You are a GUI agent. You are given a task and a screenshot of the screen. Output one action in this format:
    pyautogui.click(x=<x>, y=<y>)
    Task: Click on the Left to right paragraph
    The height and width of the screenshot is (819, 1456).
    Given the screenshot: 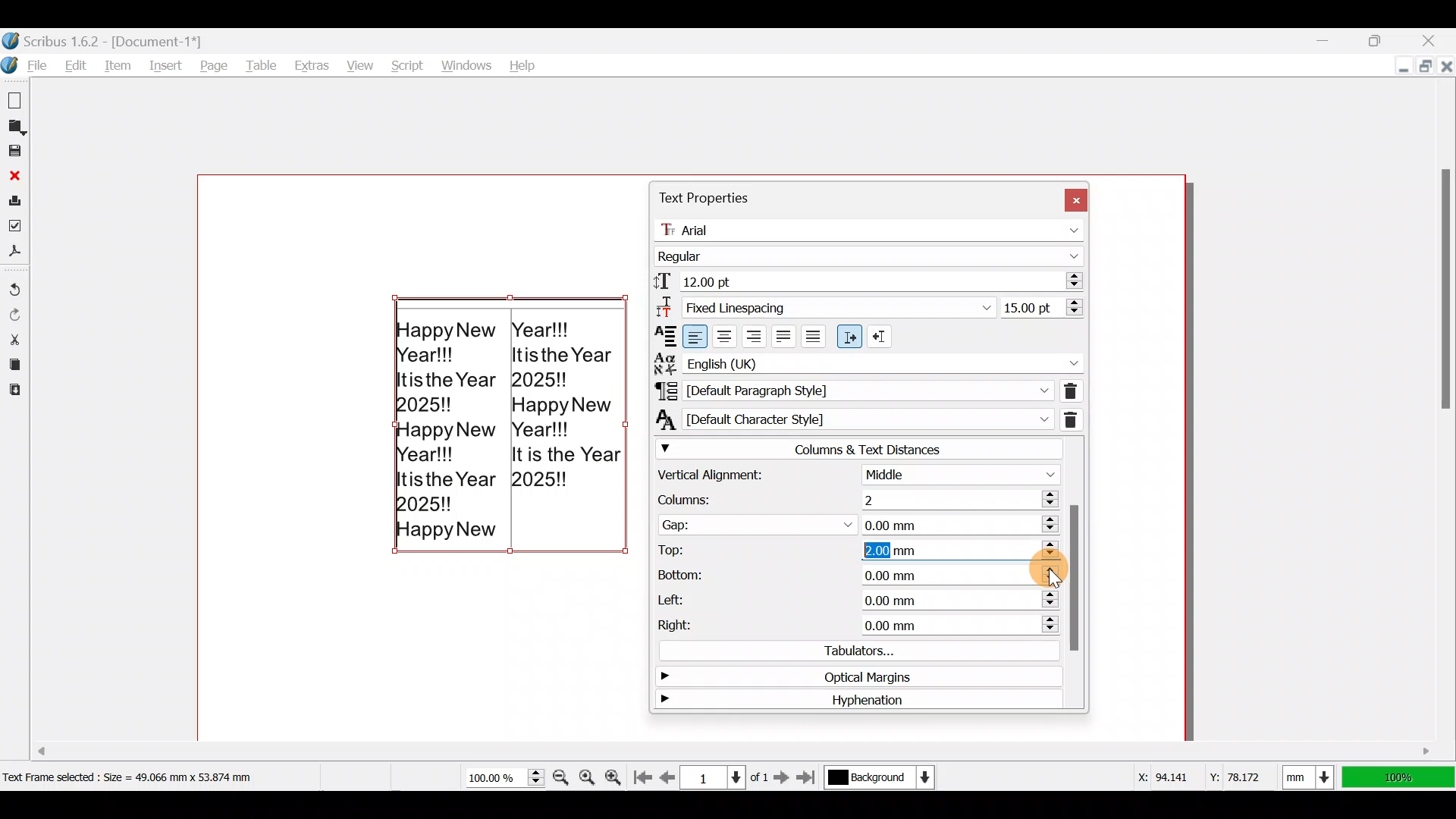 What is the action you would take?
    pyautogui.click(x=849, y=337)
    